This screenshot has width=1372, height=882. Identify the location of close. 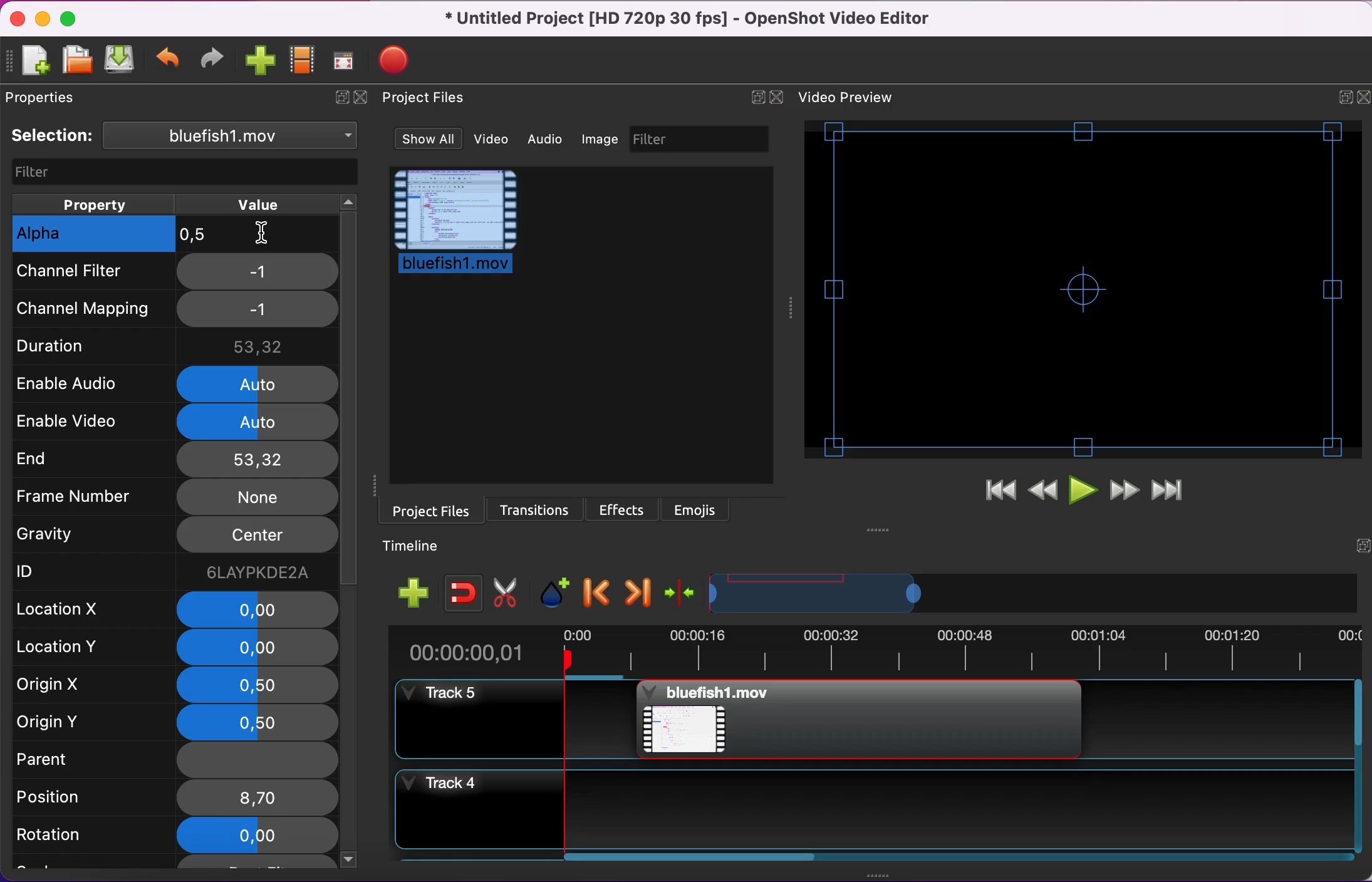
(1363, 98).